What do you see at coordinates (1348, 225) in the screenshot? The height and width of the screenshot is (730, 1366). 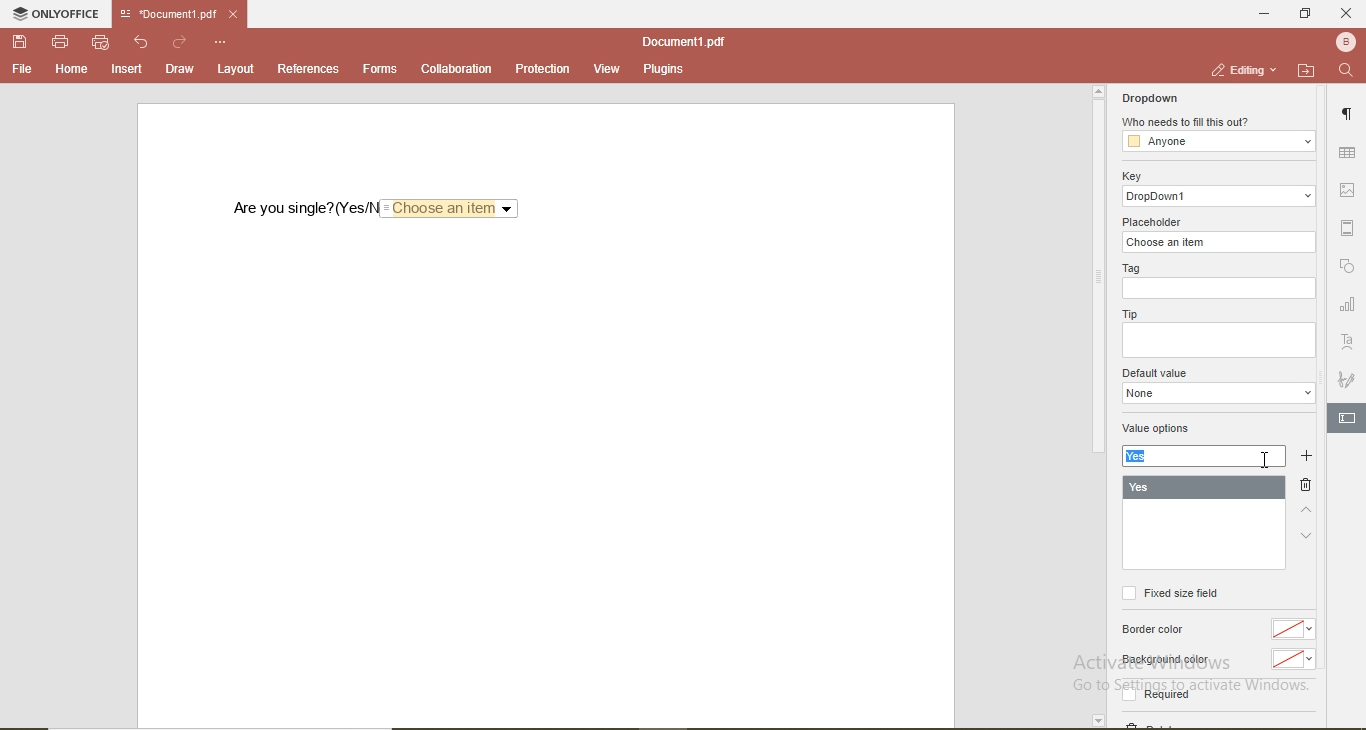 I see `margin` at bounding box center [1348, 225].